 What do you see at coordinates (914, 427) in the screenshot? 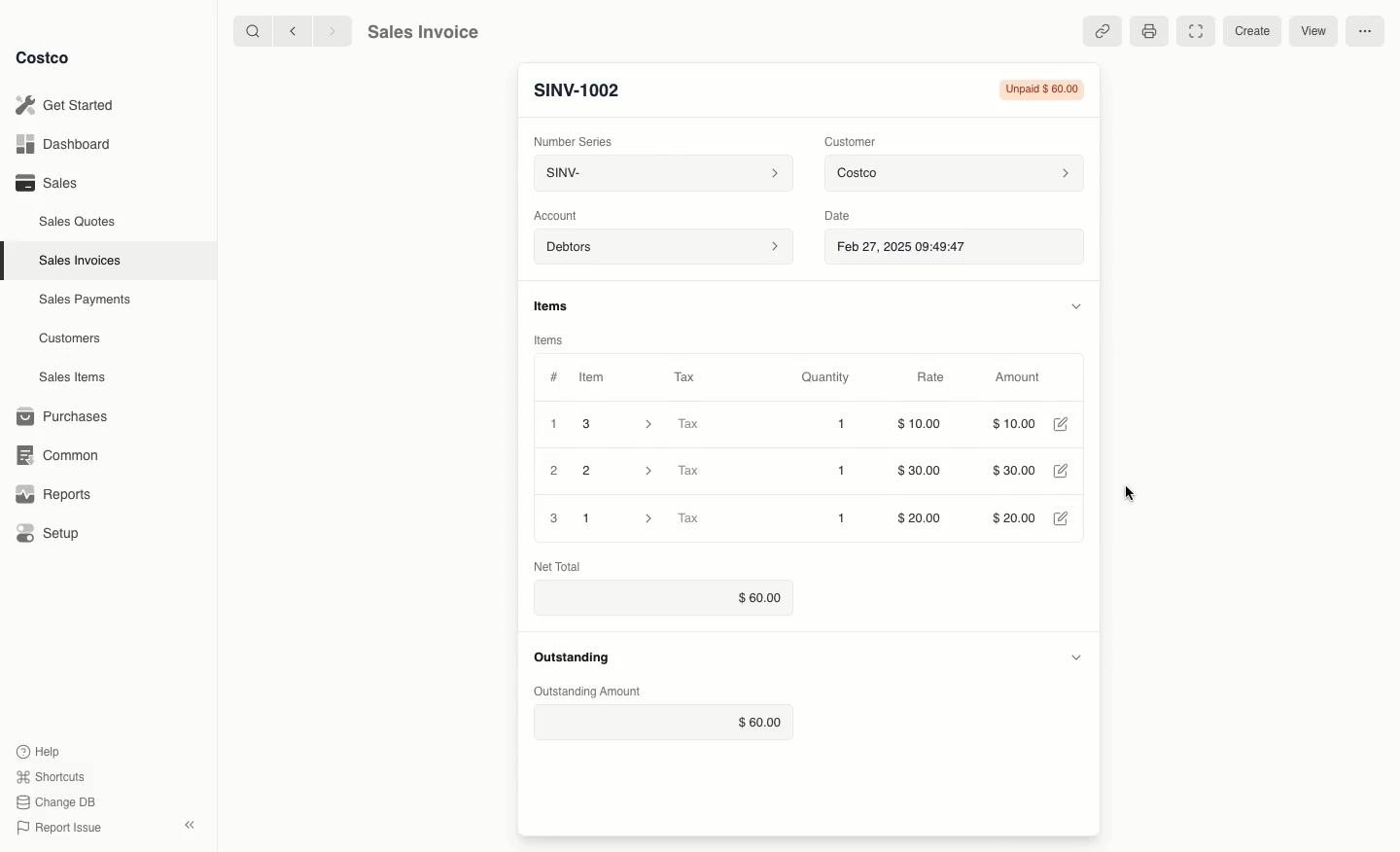
I see `$10.00` at bounding box center [914, 427].